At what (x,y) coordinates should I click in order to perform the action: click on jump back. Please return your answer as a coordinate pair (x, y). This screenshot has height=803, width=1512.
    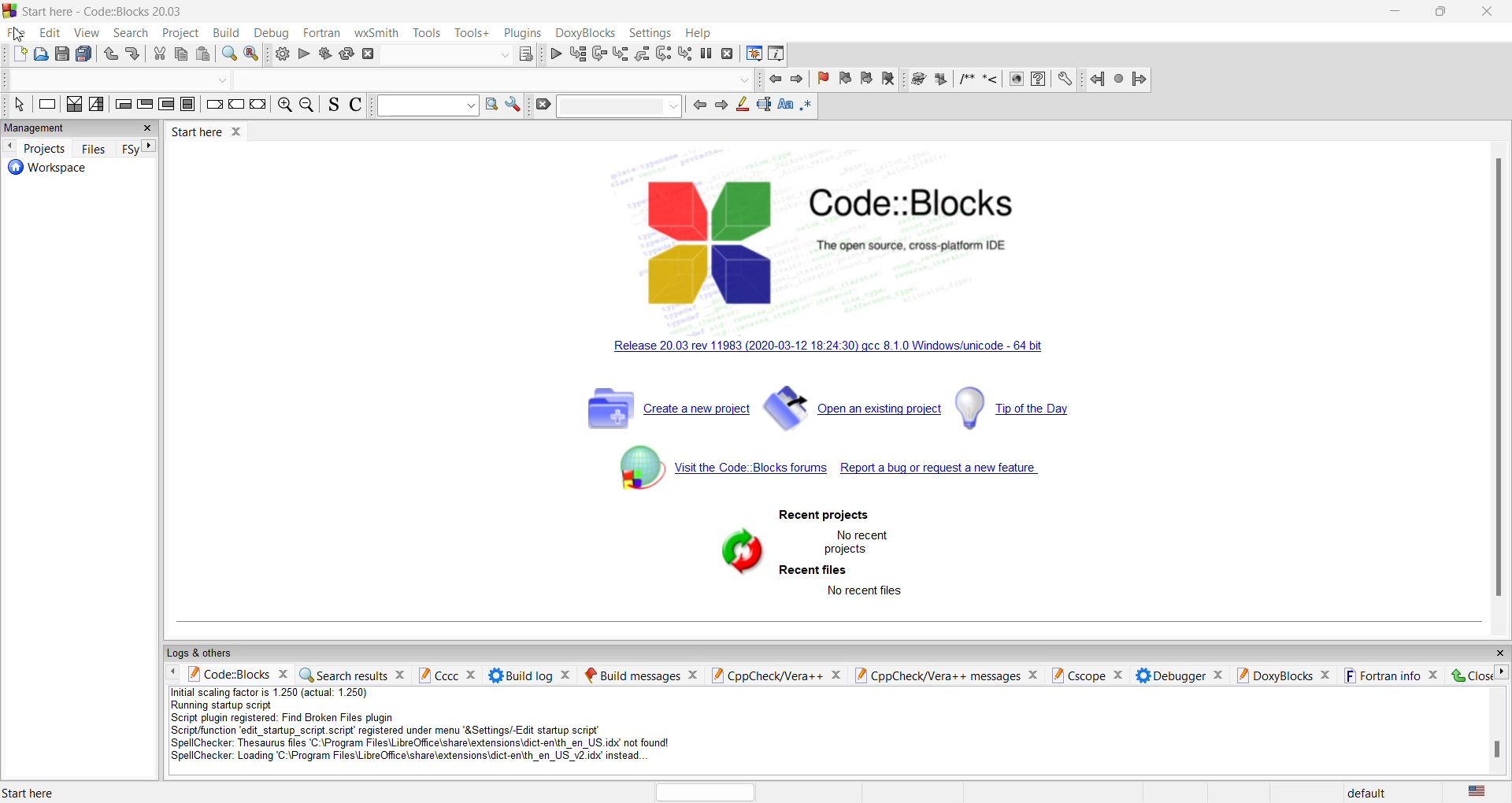
    Looking at the image, I should click on (1093, 80).